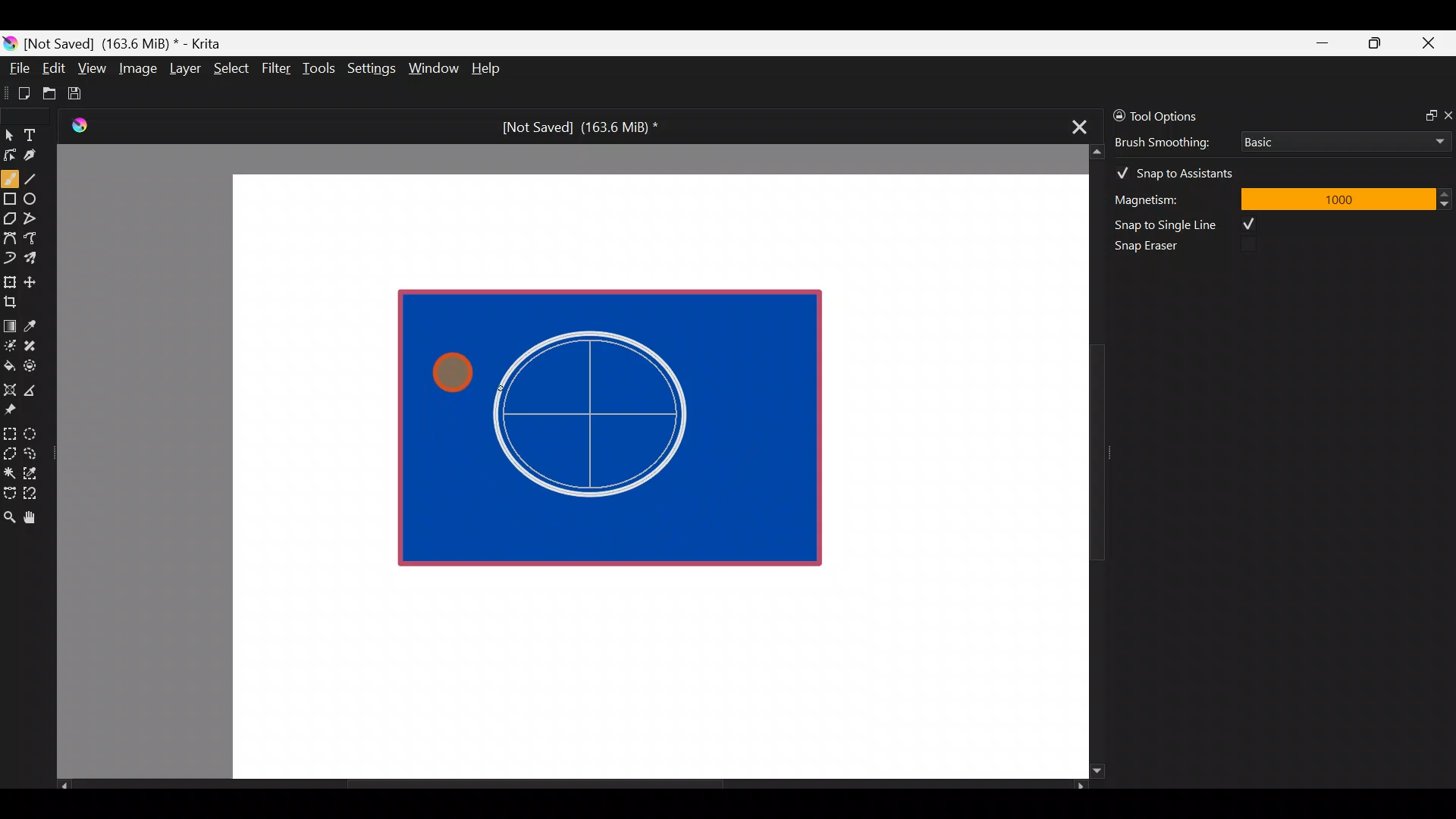  What do you see at coordinates (50, 96) in the screenshot?
I see `Open an existing document` at bounding box center [50, 96].